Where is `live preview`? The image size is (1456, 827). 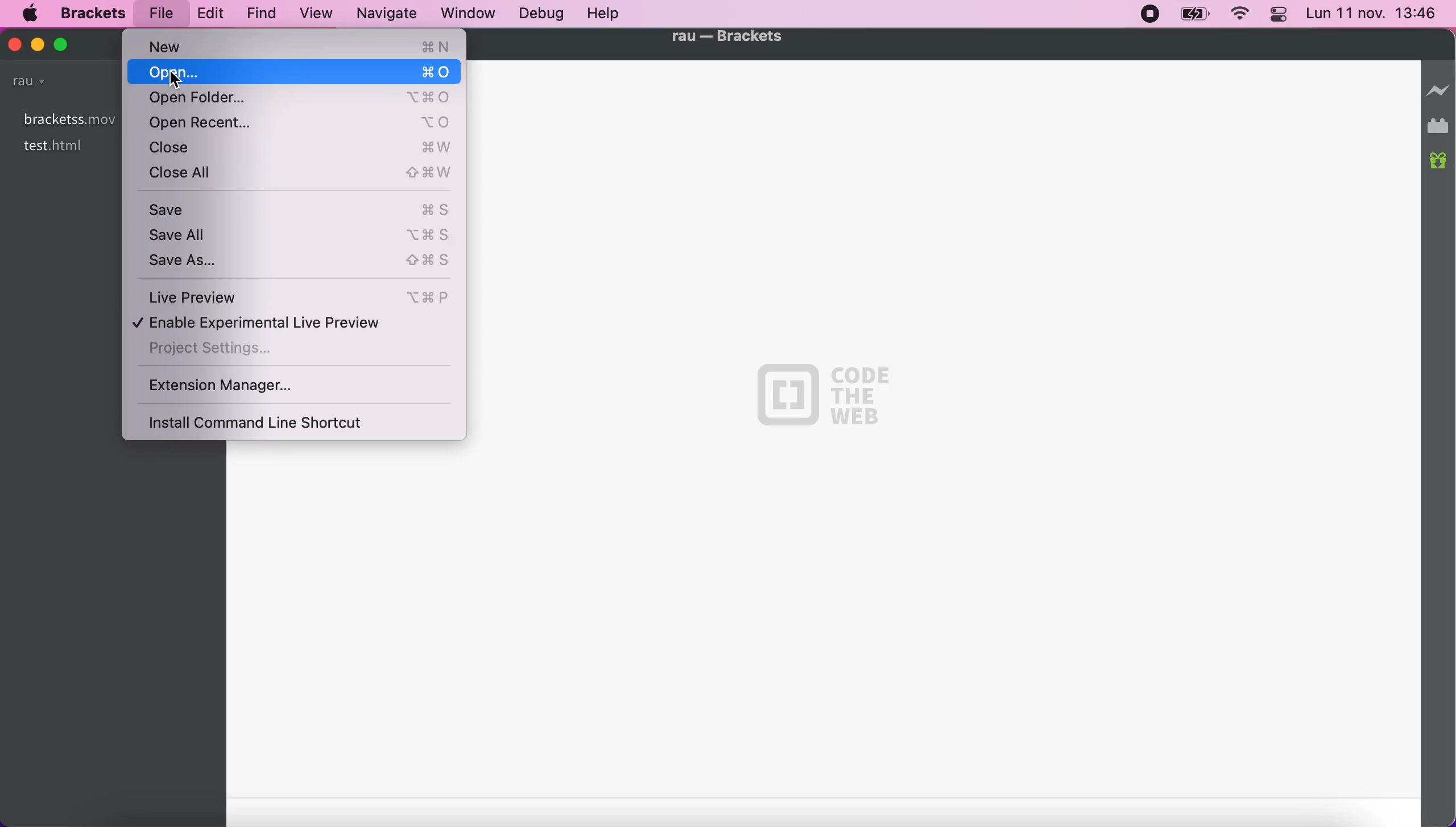 live preview is located at coordinates (300, 298).